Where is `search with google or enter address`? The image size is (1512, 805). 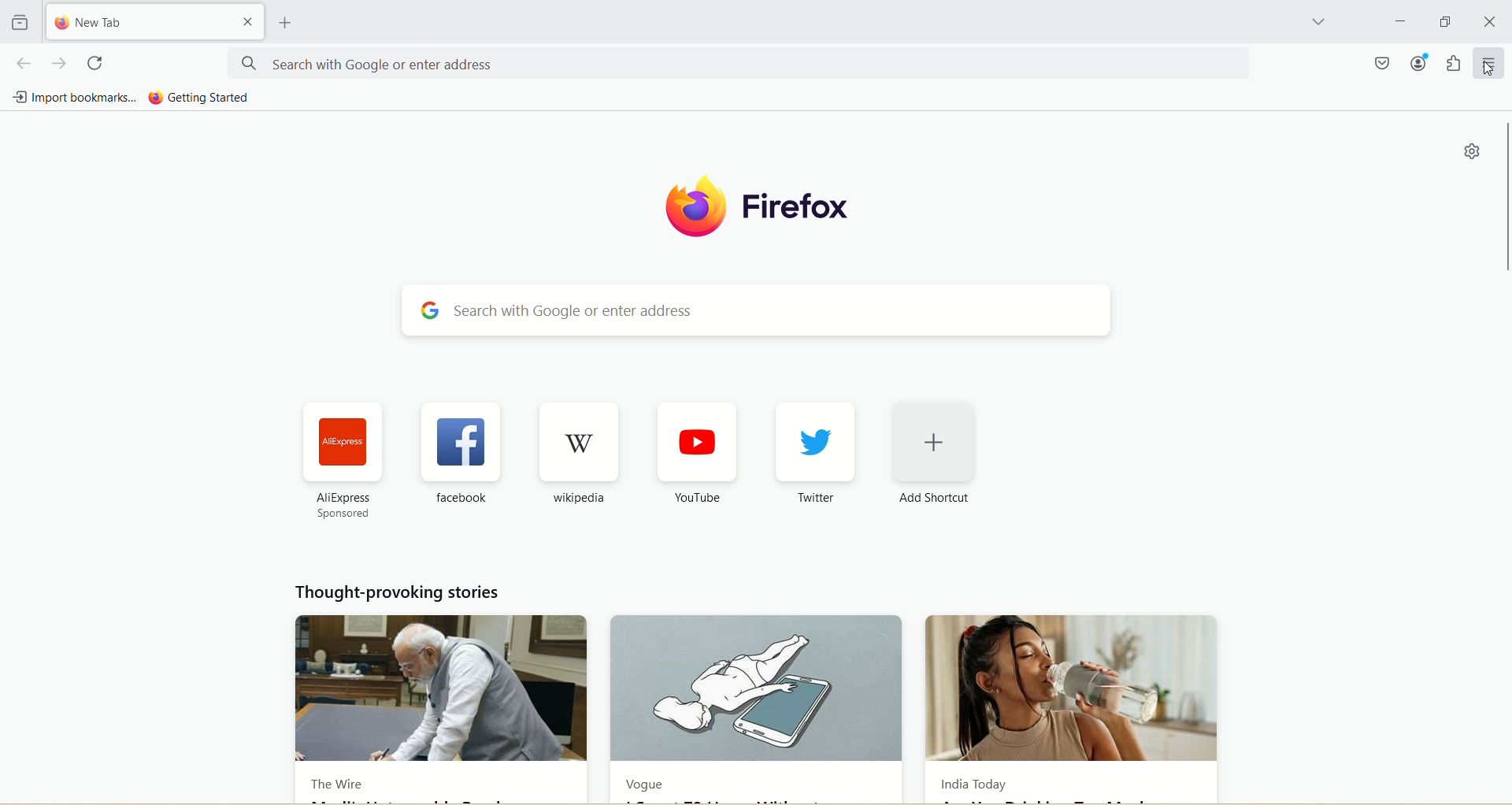
search with google or enter address is located at coordinates (754, 309).